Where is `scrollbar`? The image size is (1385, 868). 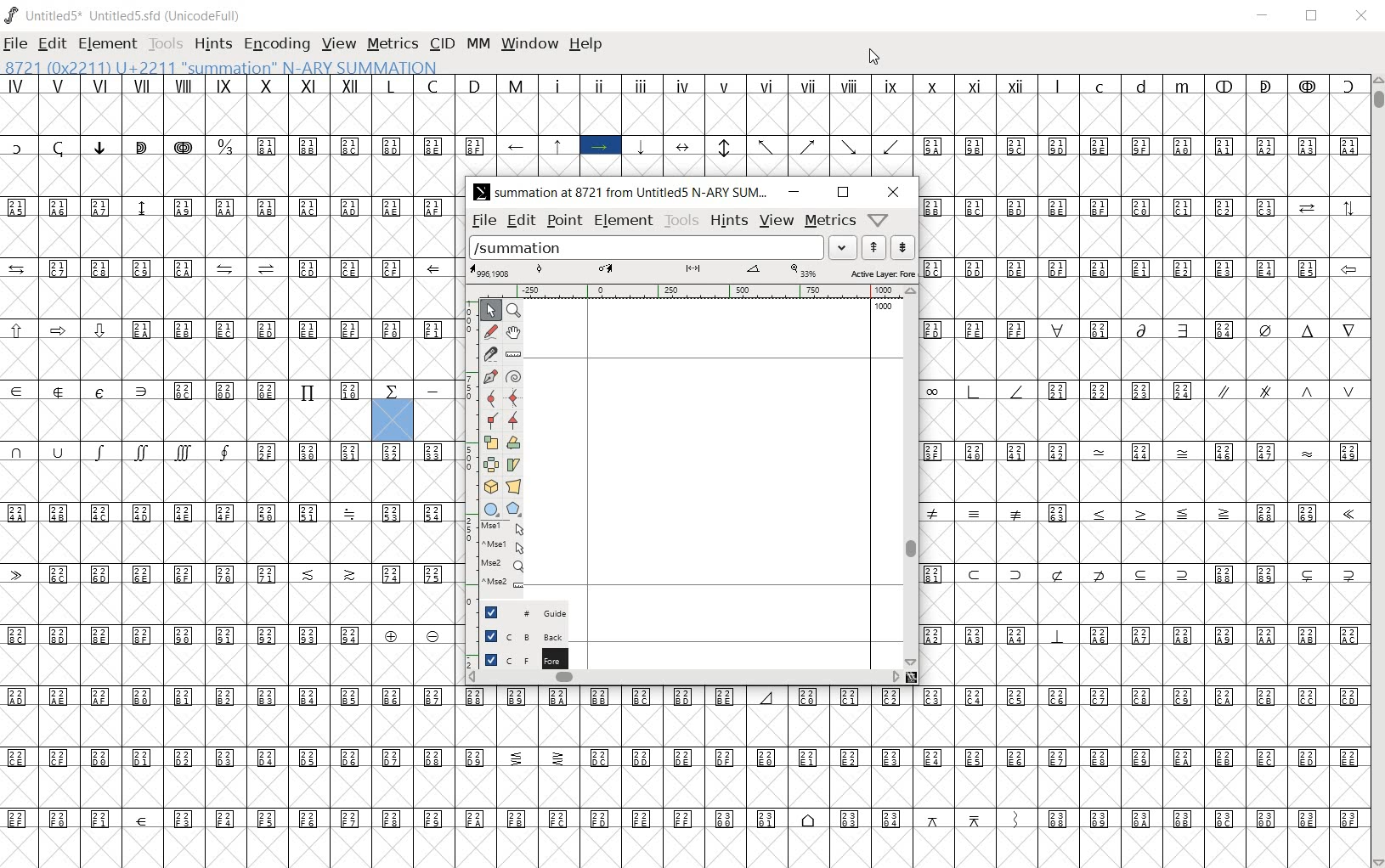
scrollbar is located at coordinates (684, 677).